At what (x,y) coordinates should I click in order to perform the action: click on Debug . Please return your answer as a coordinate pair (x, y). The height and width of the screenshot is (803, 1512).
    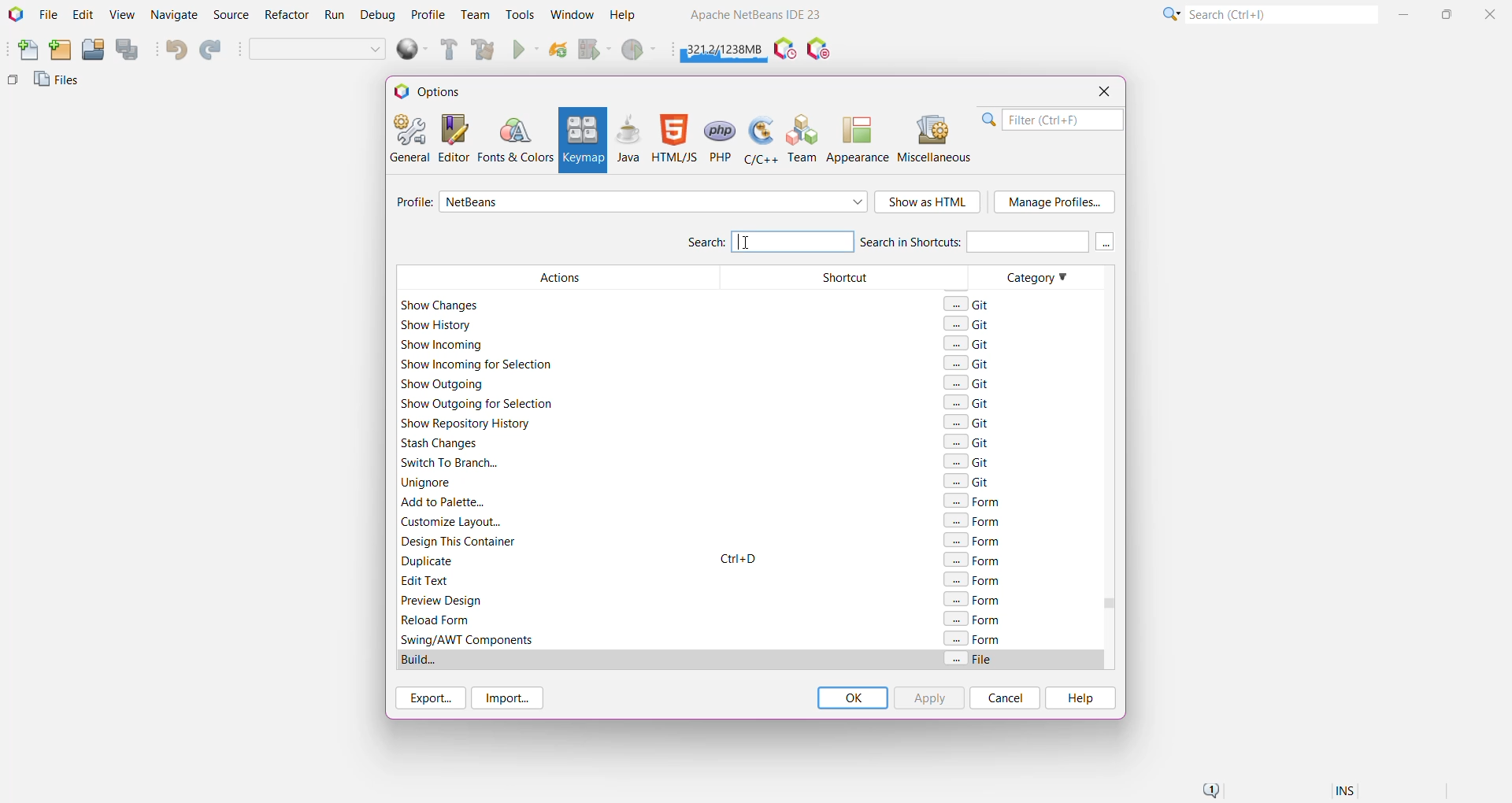
    Looking at the image, I should click on (376, 16).